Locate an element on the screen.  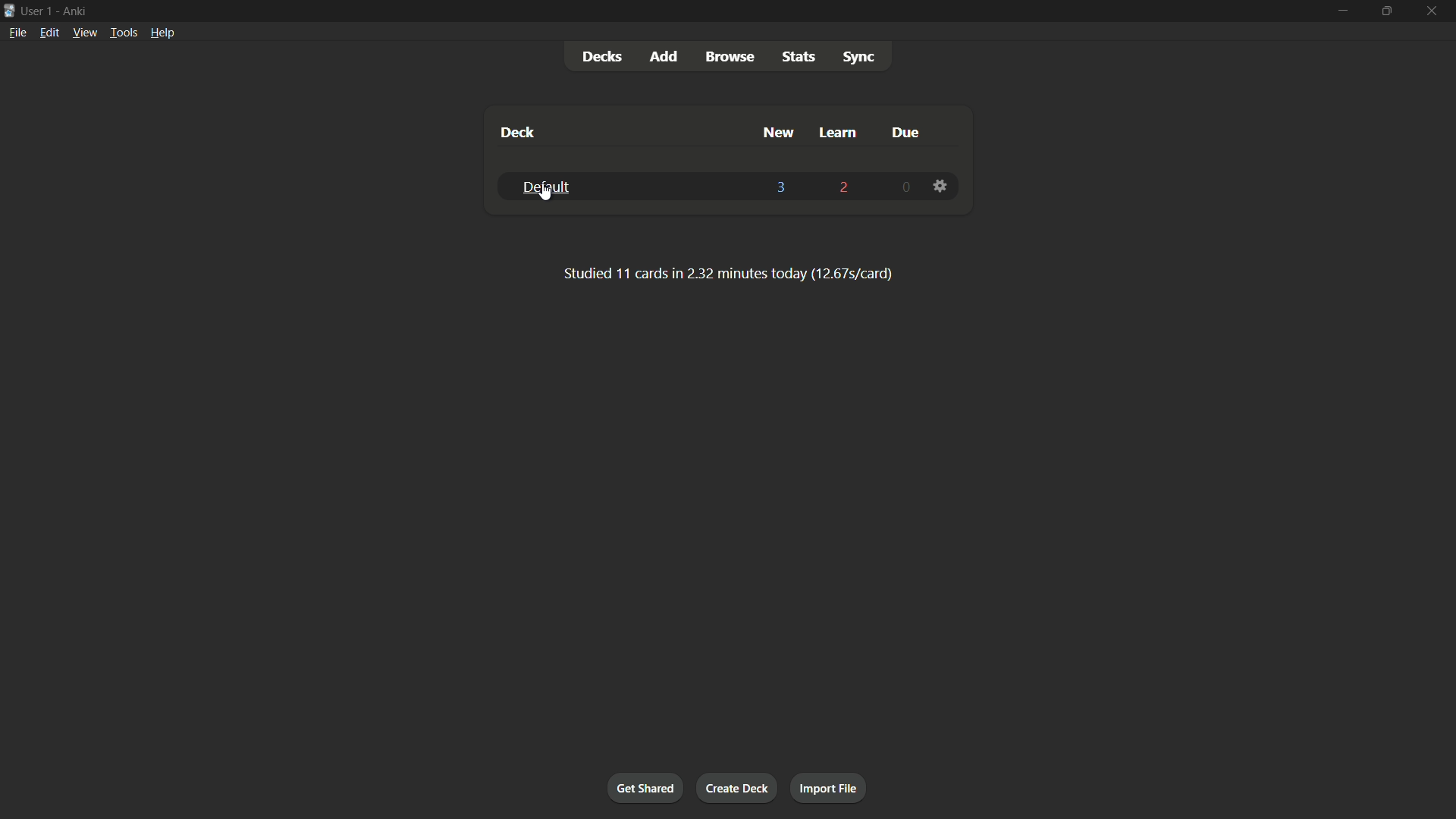
user 1 is located at coordinates (39, 11).